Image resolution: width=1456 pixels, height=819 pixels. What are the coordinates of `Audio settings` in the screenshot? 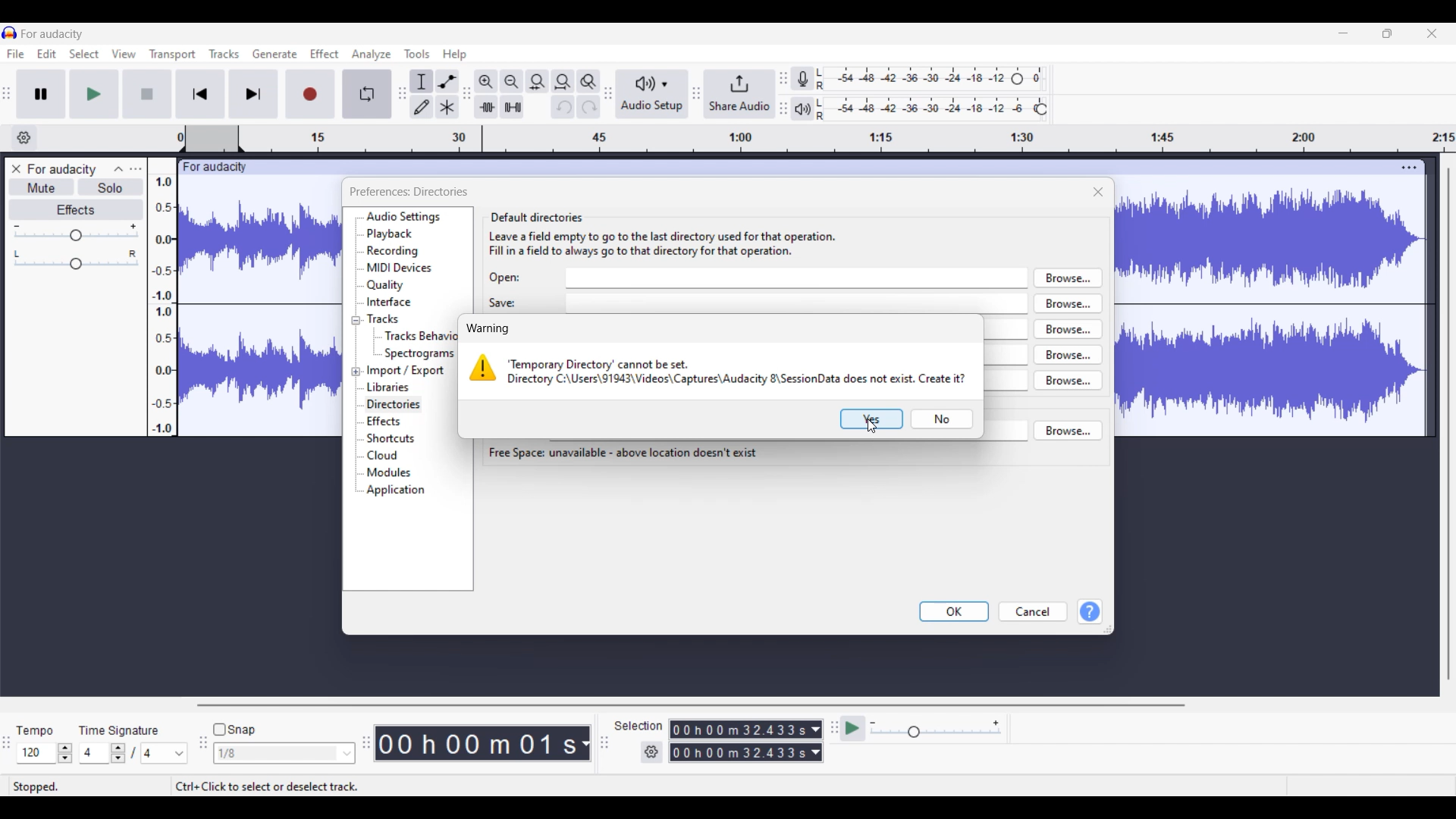 It's located at (404, 217).